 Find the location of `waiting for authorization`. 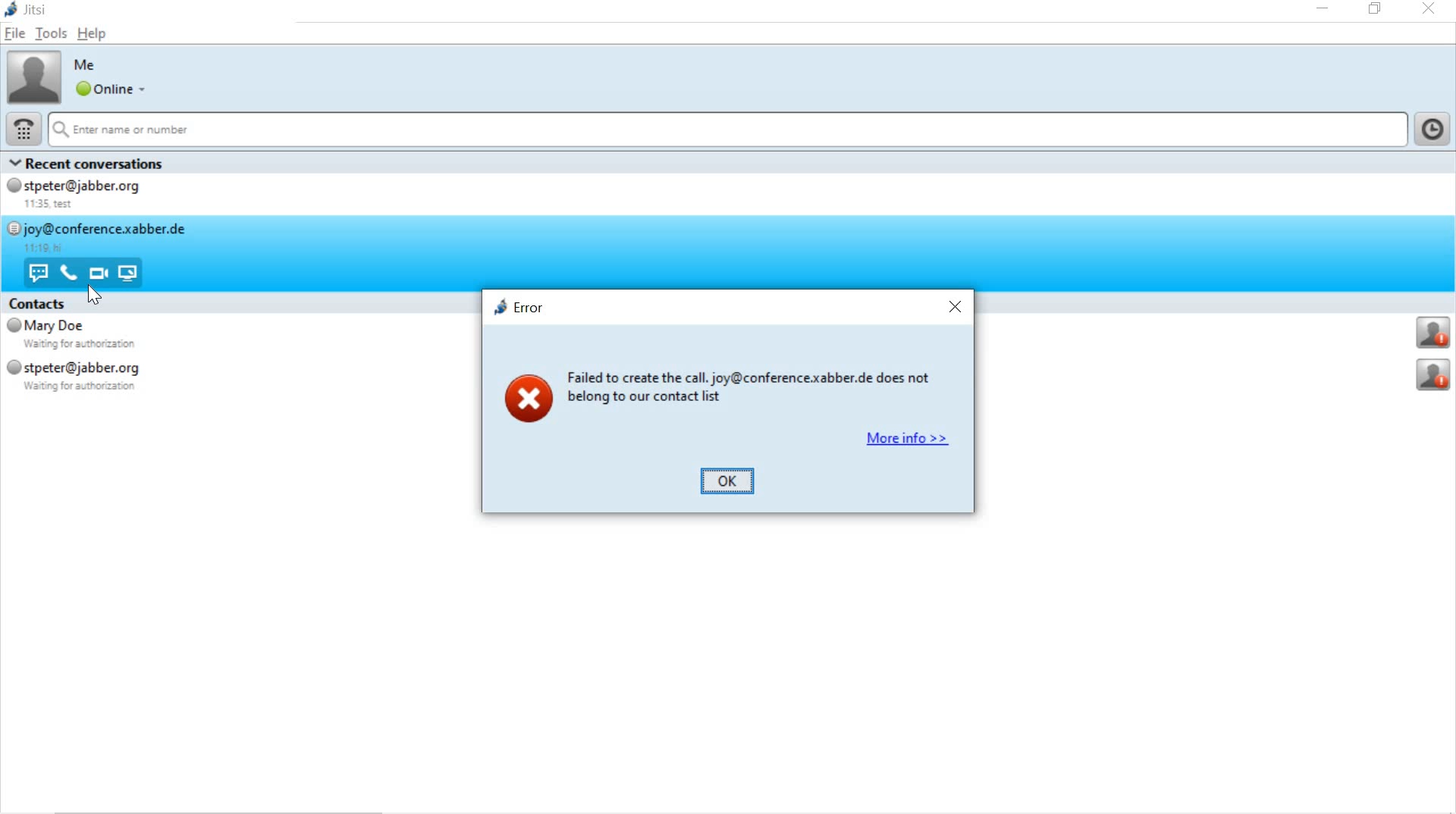

waiting for authorization is located at coordinates (88, 345).